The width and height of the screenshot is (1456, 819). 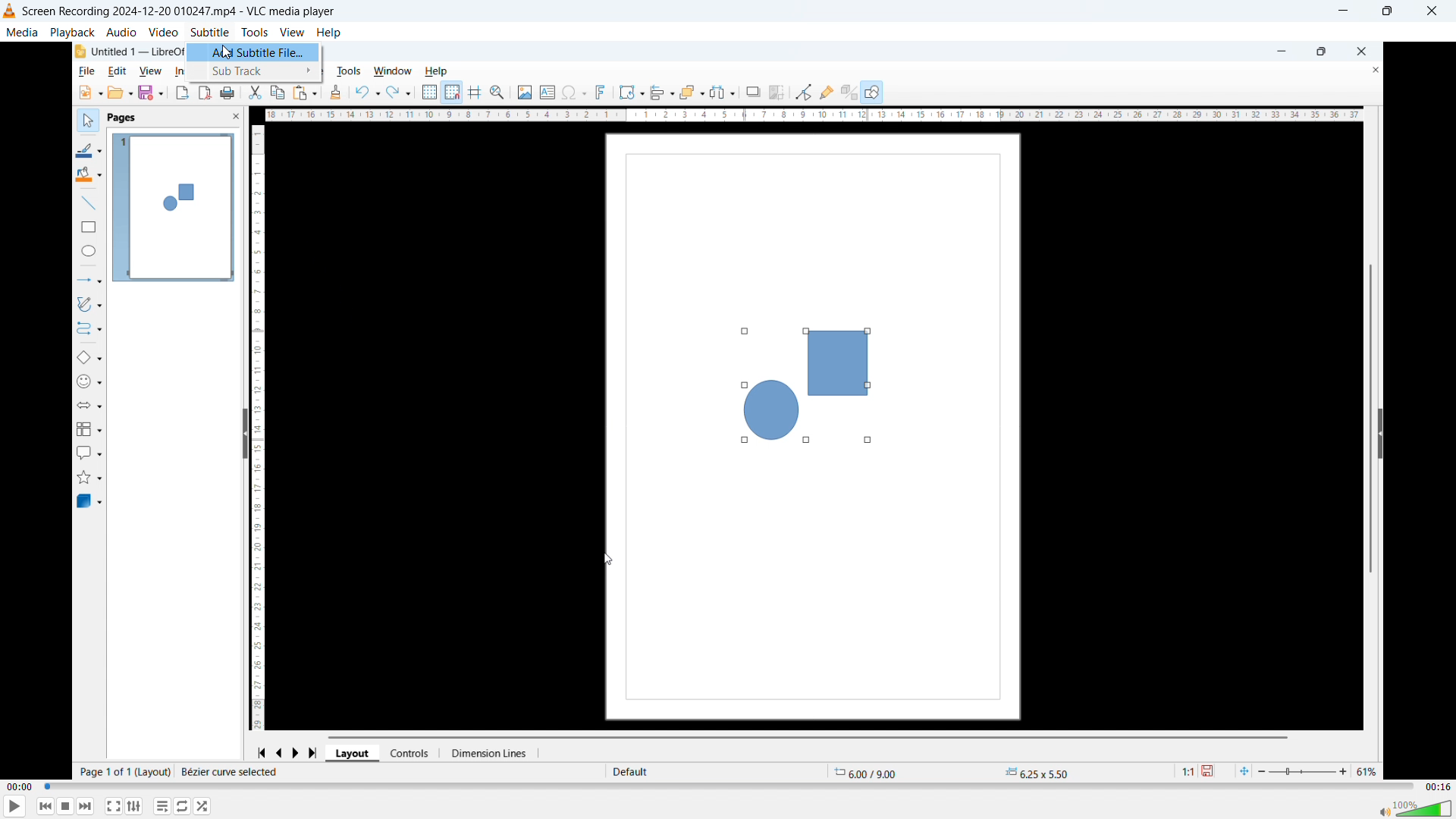 What do you see at coordinates (400, 91) in the screenshot?
I see `redo` at bounding box center [400, 91].